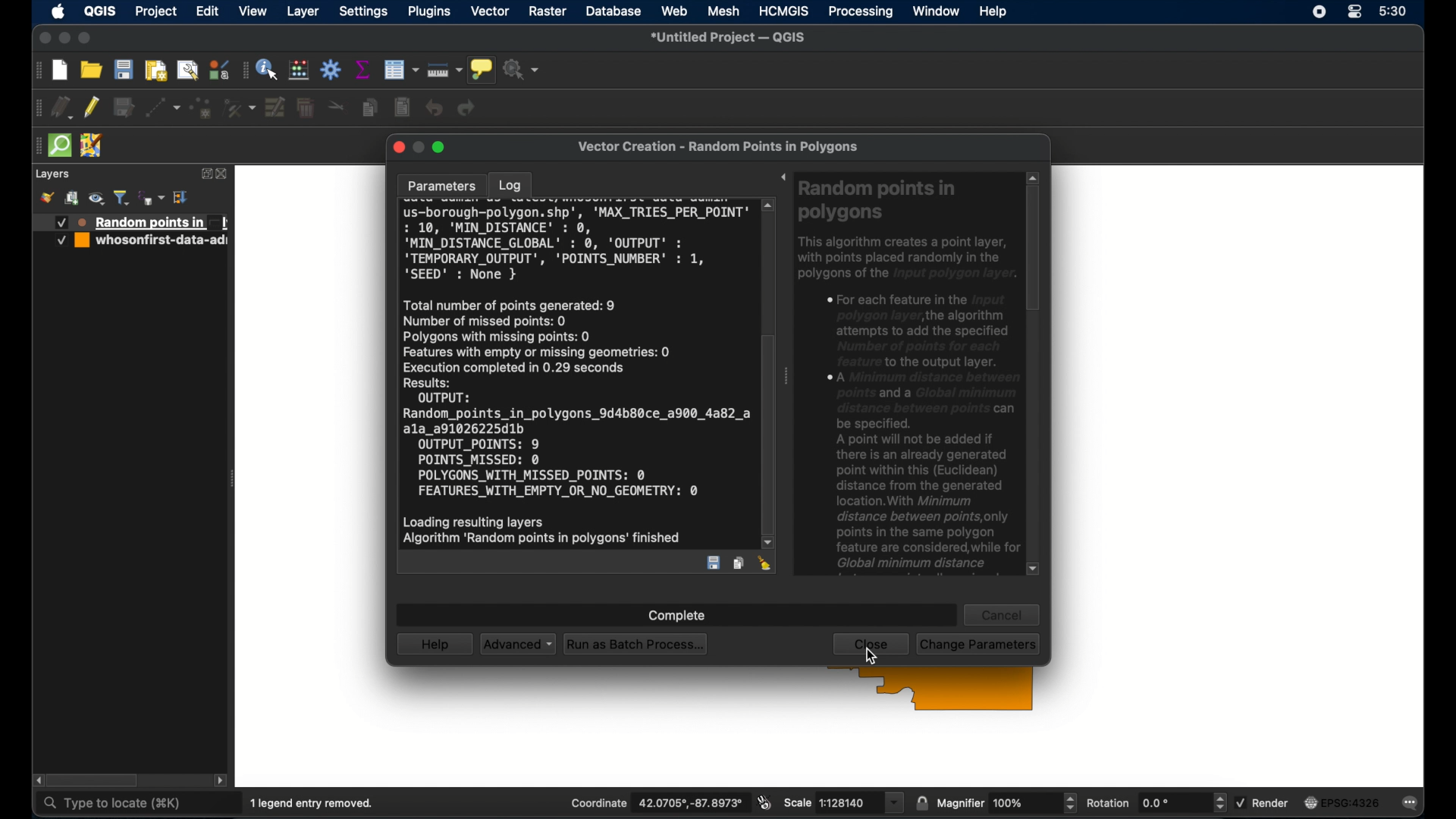  What do you see at coordinates (766, 564) in the screenshot?
I see `clear log en` at bounding box center [766, 564].